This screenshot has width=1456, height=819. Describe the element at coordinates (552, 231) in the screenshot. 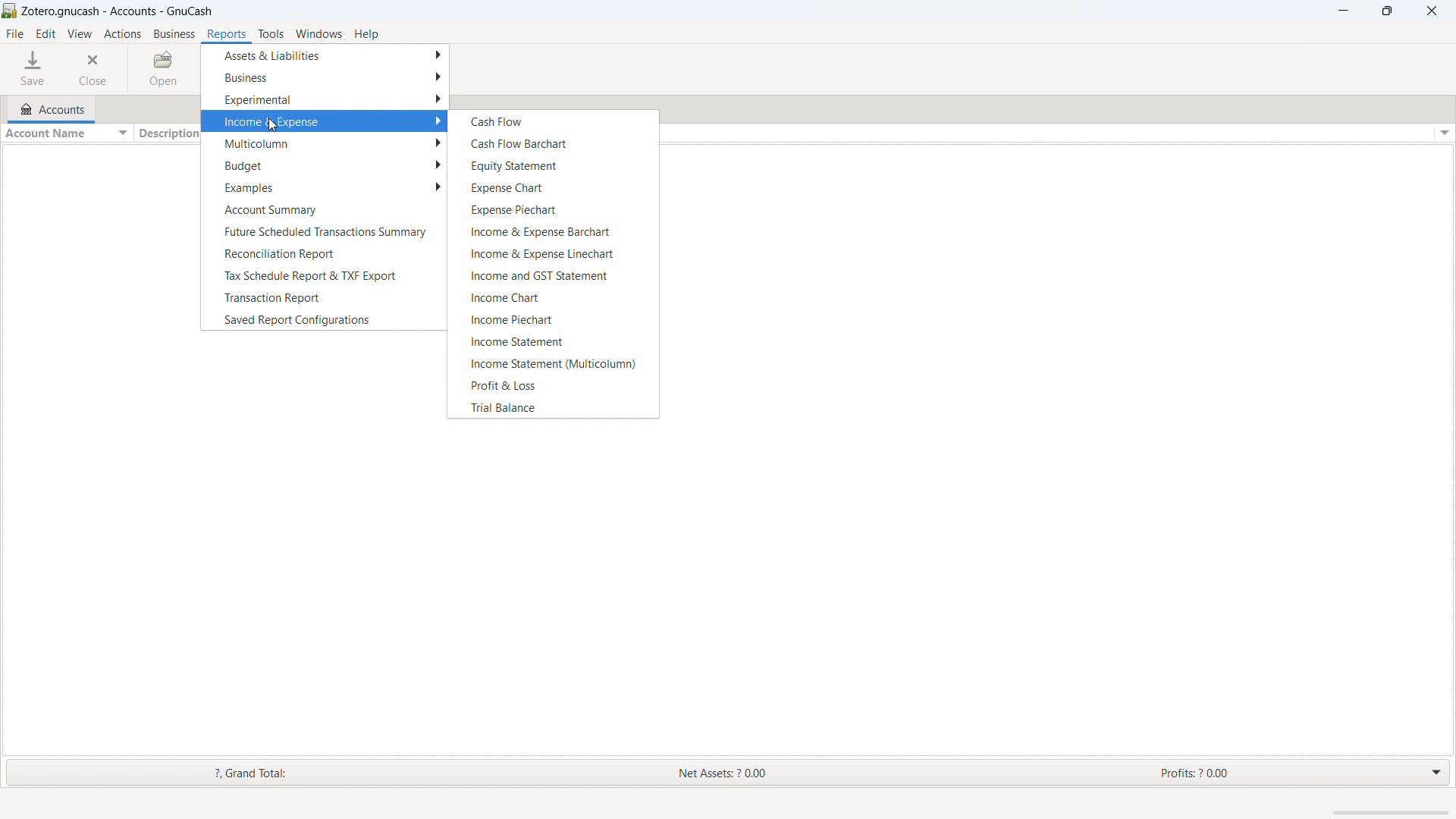

I see `income and exoense barchart` at that location.